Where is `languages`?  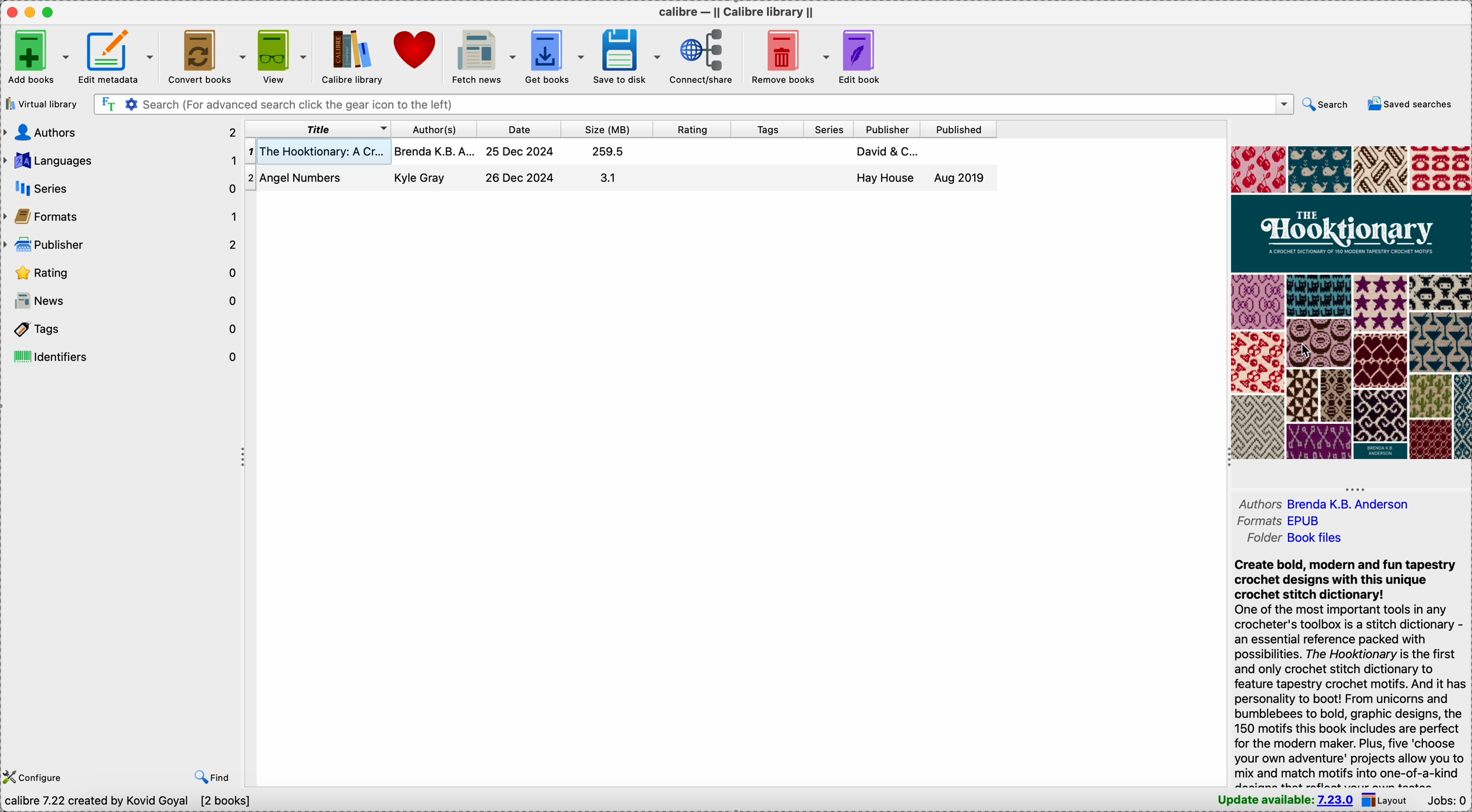
languages is located at coordinates (121, 161).